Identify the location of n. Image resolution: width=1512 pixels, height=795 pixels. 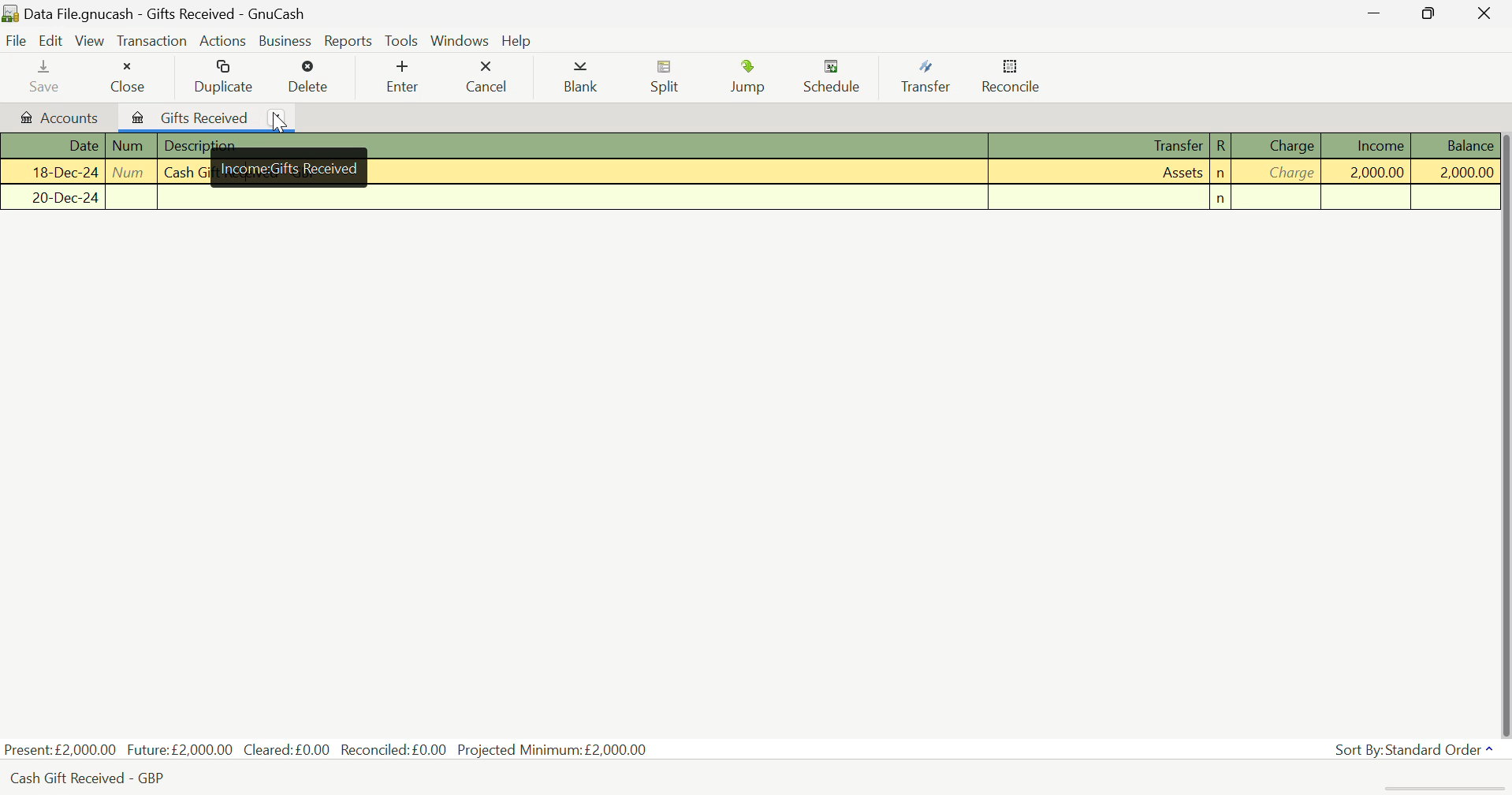
(1221, 199).